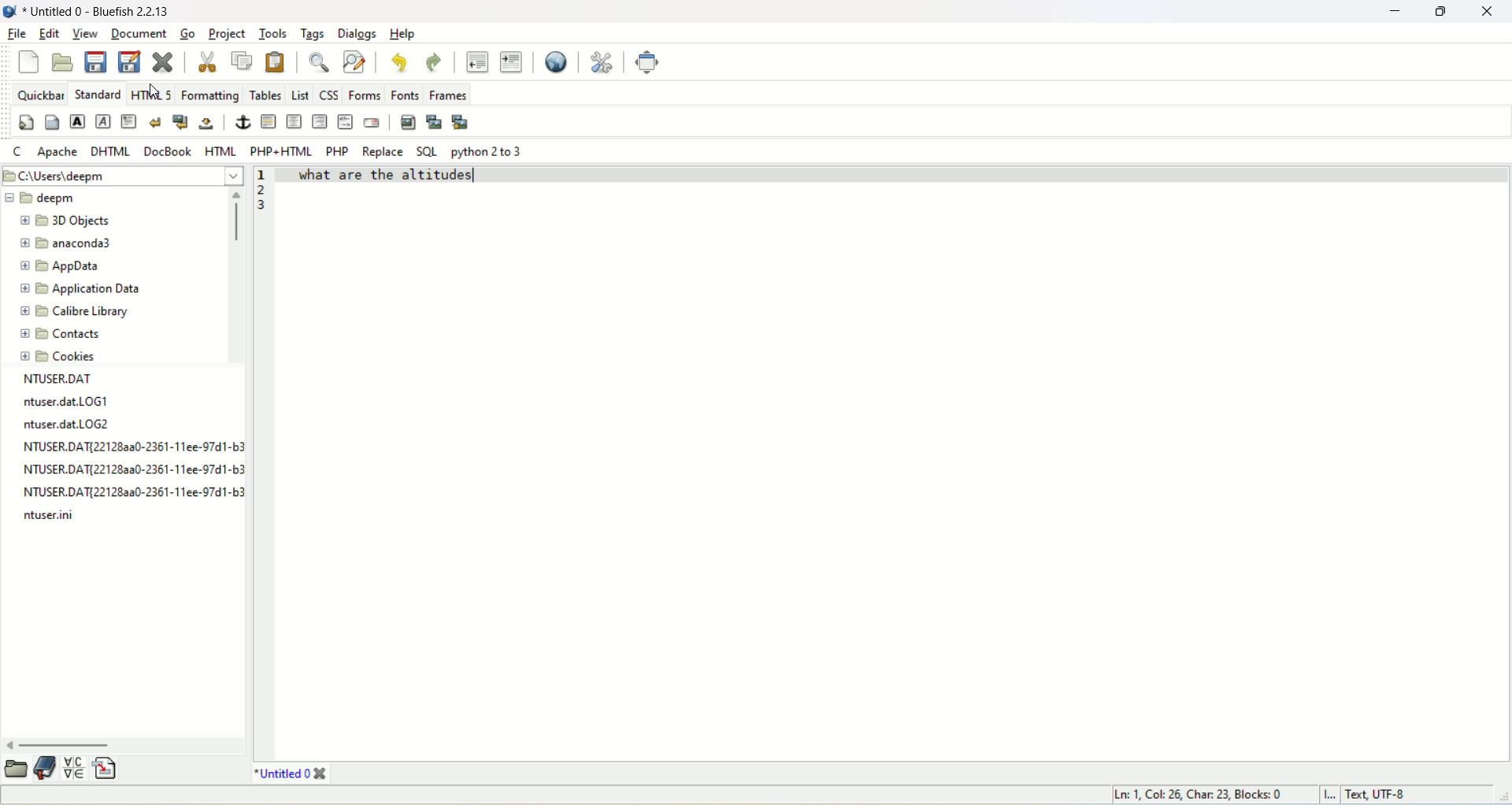  Describe the element at coordinates (314, 34) in the screenshot. I see `tags` at that location.